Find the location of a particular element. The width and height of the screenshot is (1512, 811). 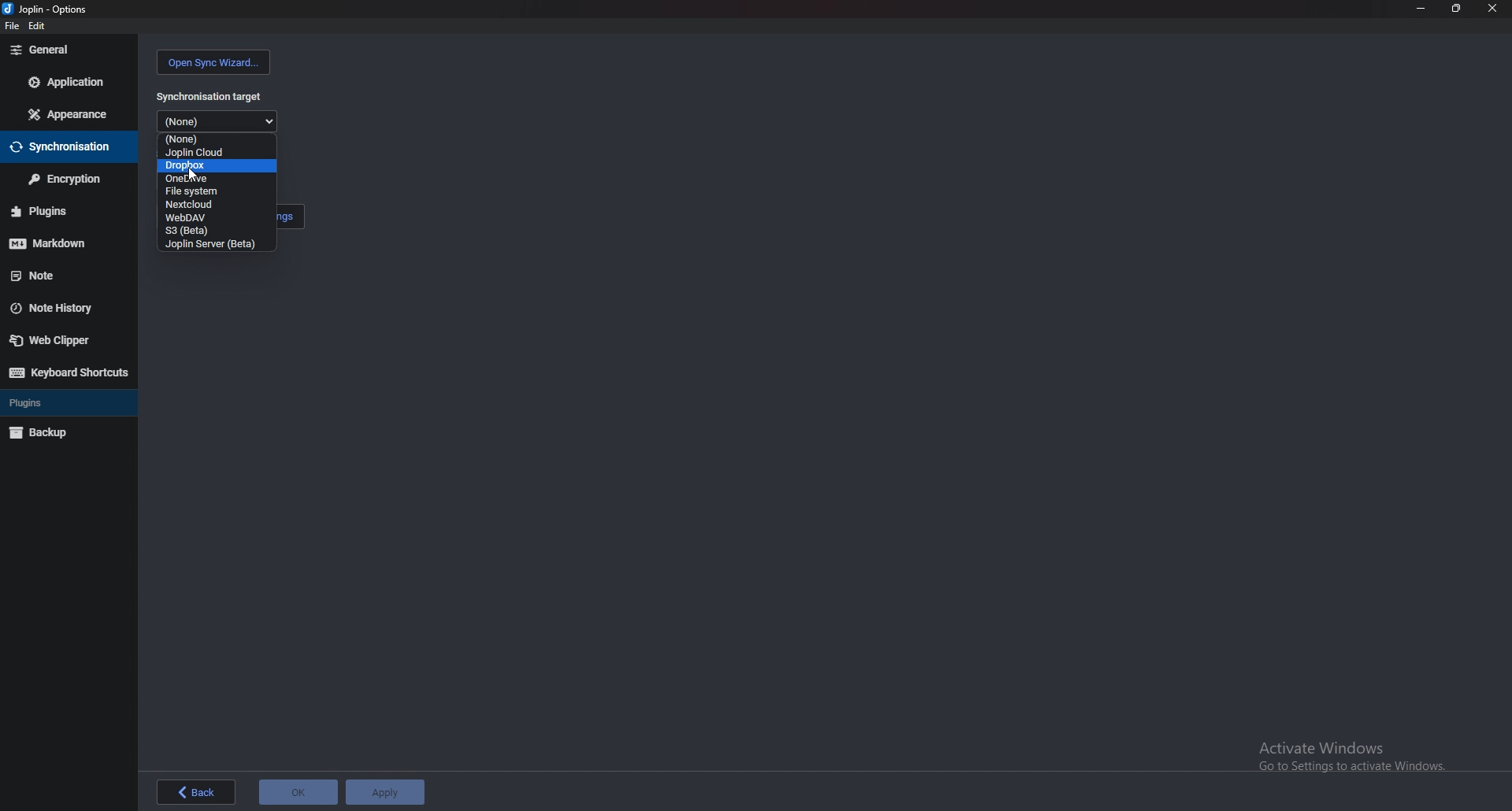

none is located at coordinates (213, 139).